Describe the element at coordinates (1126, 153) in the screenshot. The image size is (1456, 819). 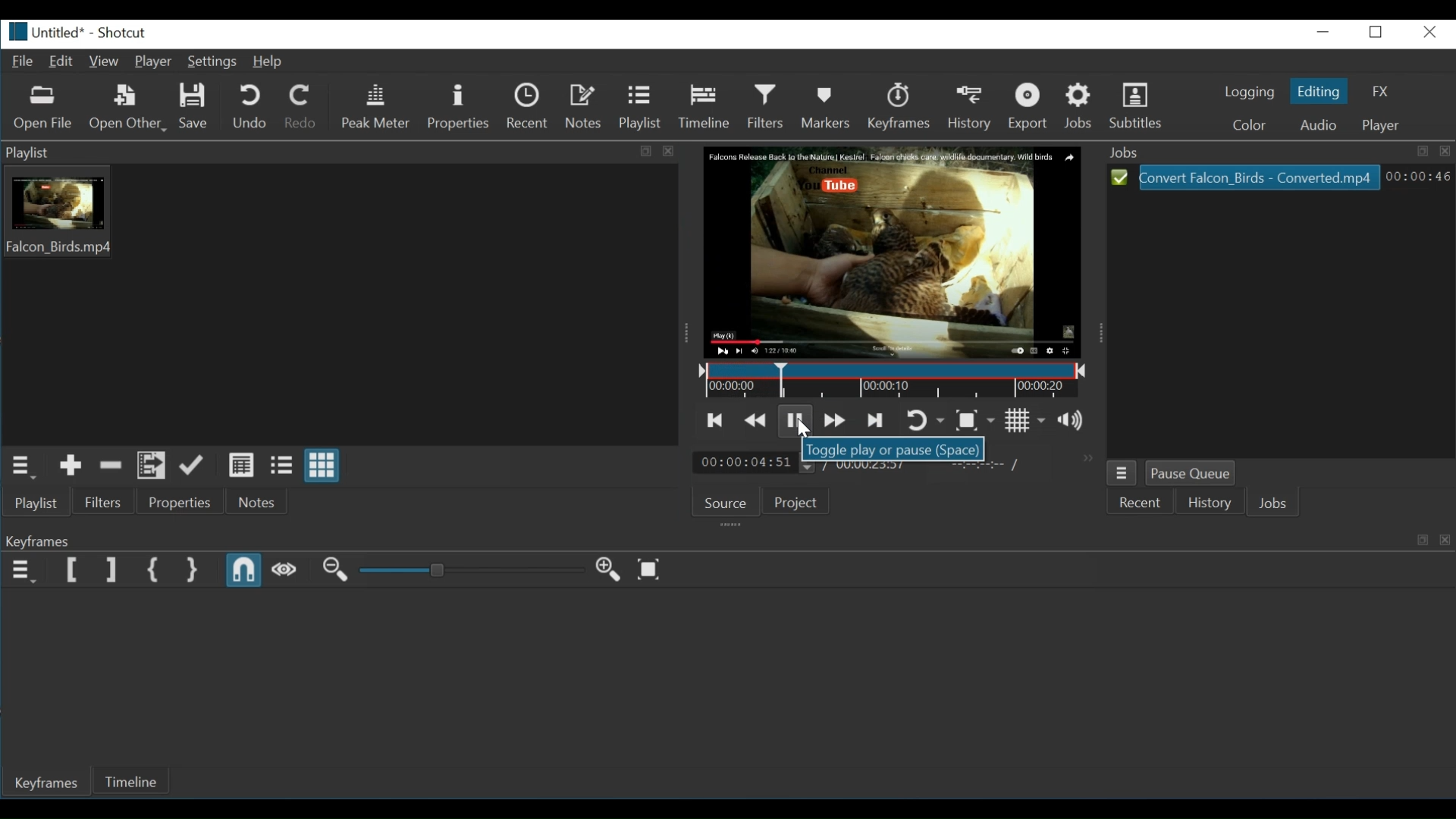
I see `Jobs` at that location.